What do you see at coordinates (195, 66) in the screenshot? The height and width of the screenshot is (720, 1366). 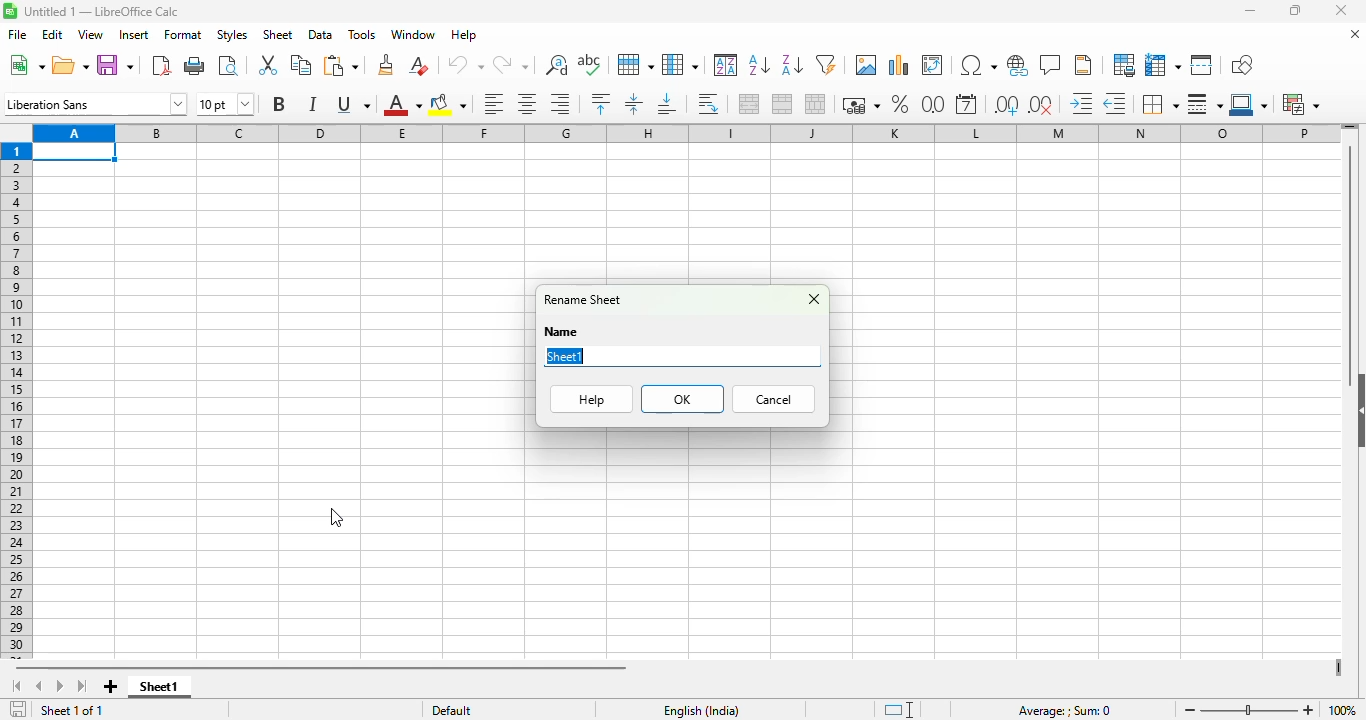 I see `print` at bounding box center [195, 66].